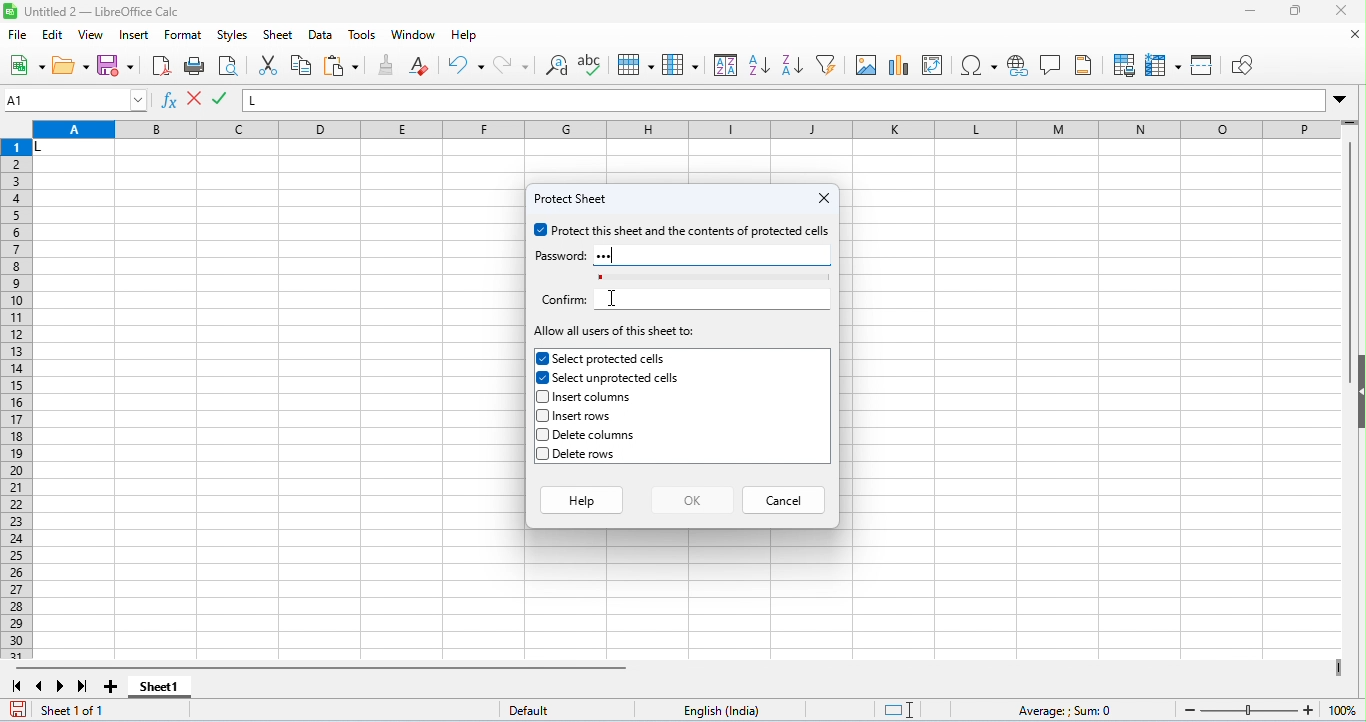 The width and height of the screenshot is (1366, 722). Describe the element at coordinates (54, 36) in the screenshot. I see `edit` at that location.